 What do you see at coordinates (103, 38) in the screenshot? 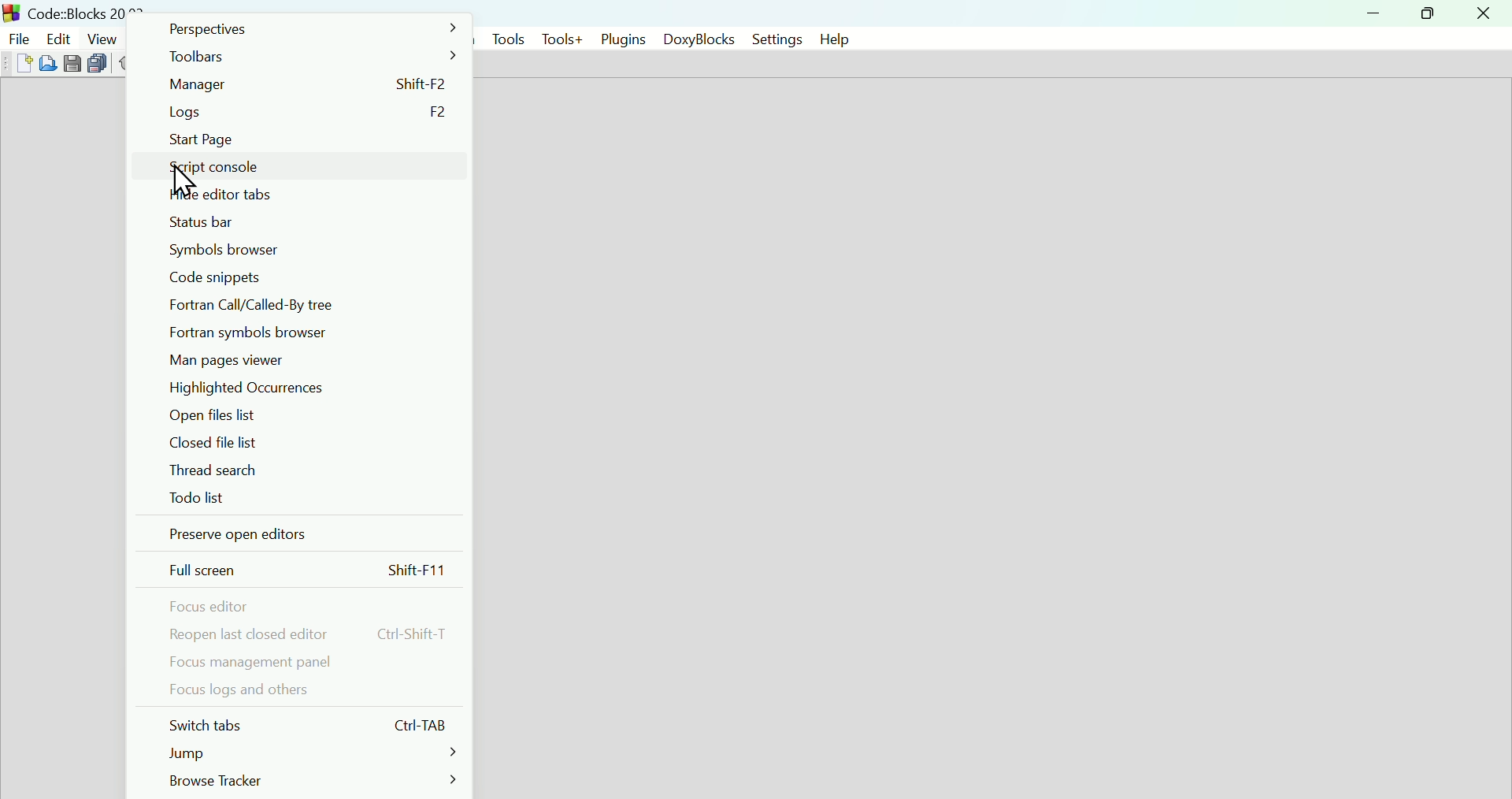
I see `View` at bounding box center [103, 38].